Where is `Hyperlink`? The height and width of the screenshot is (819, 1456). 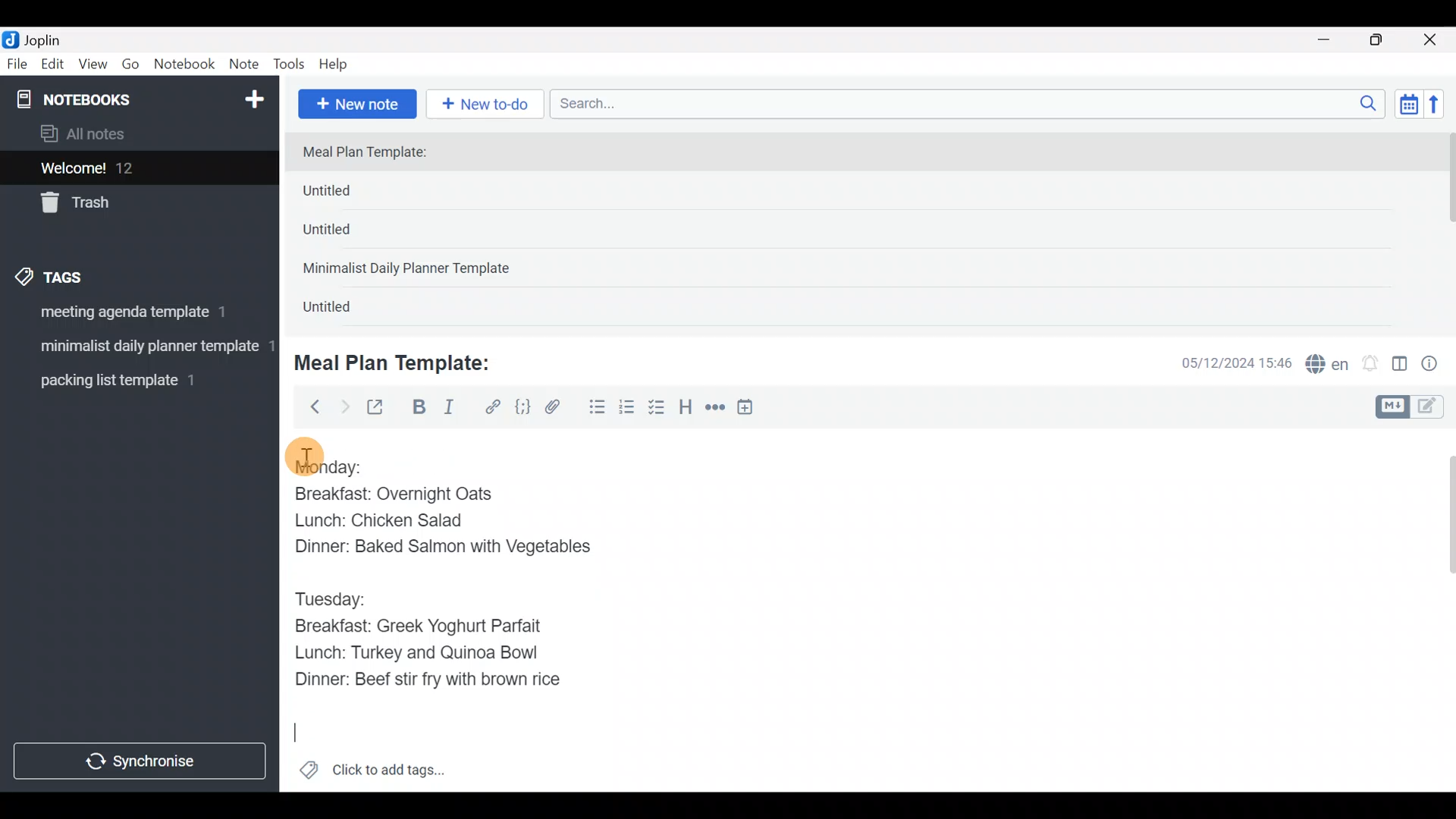 Hyperlink is located at coordinates (493, 407).